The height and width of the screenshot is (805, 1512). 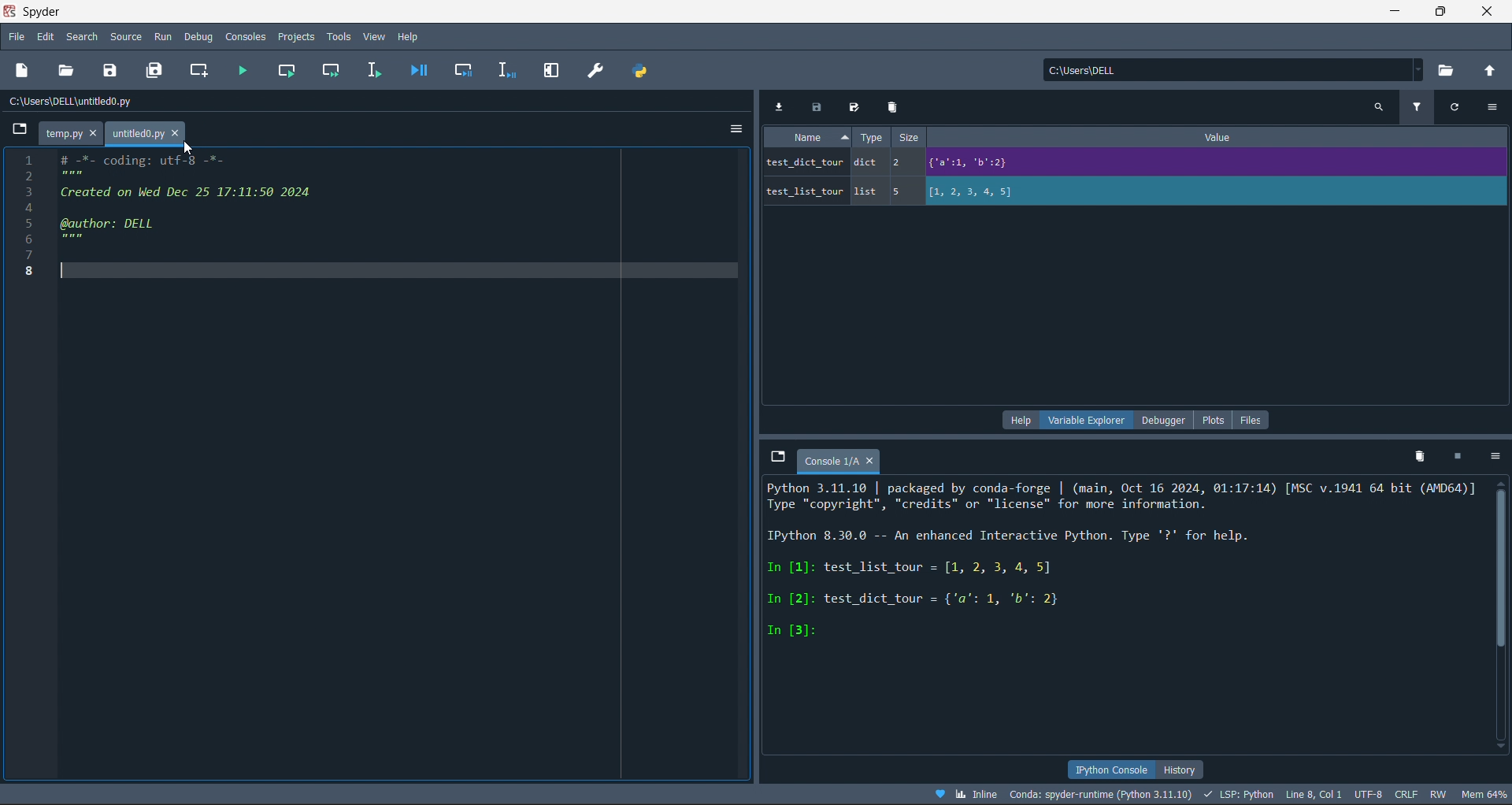 I want to click on LSP: Python, so click(x=1240, y=796).